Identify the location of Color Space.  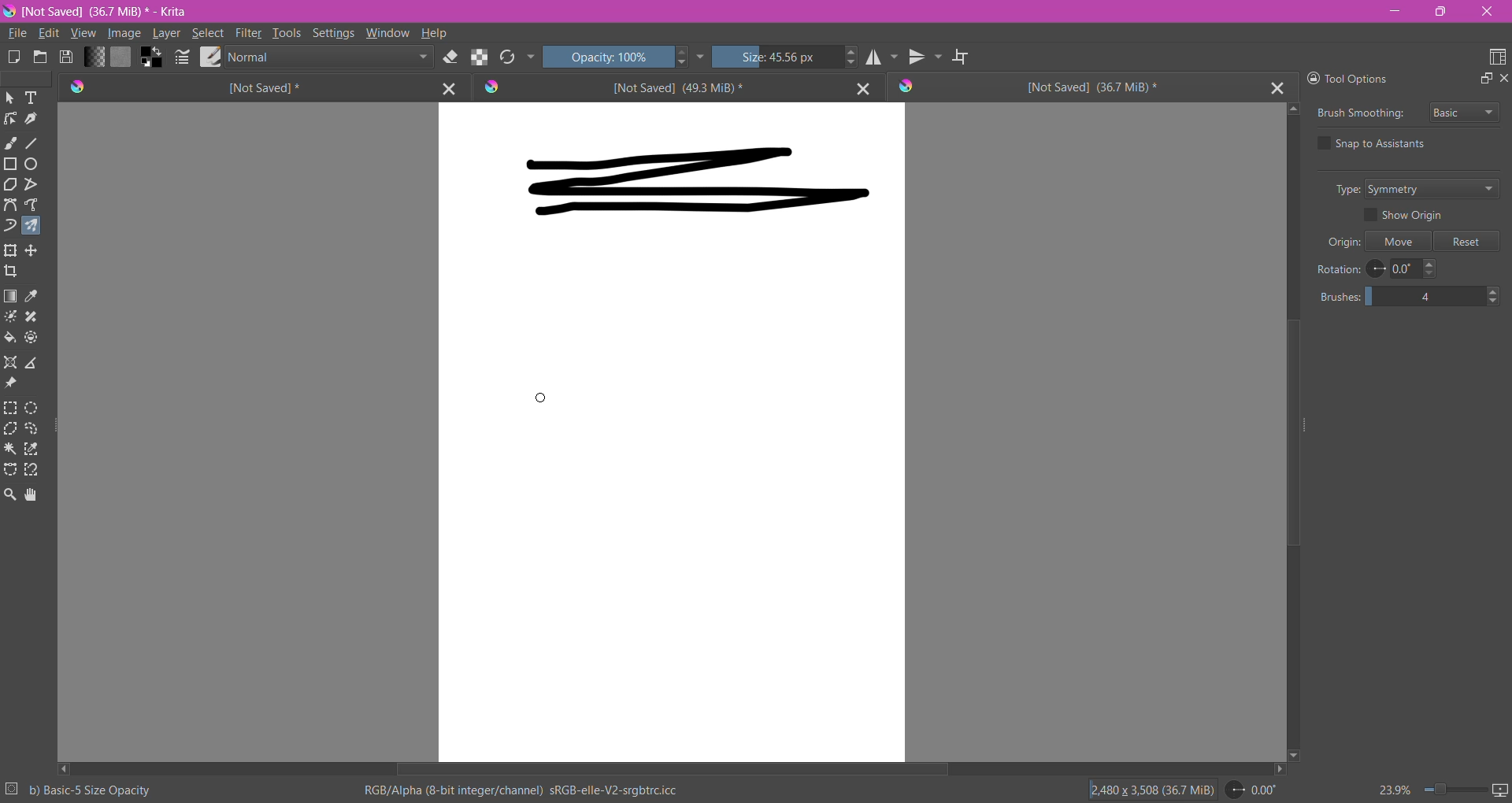
(521, 790).